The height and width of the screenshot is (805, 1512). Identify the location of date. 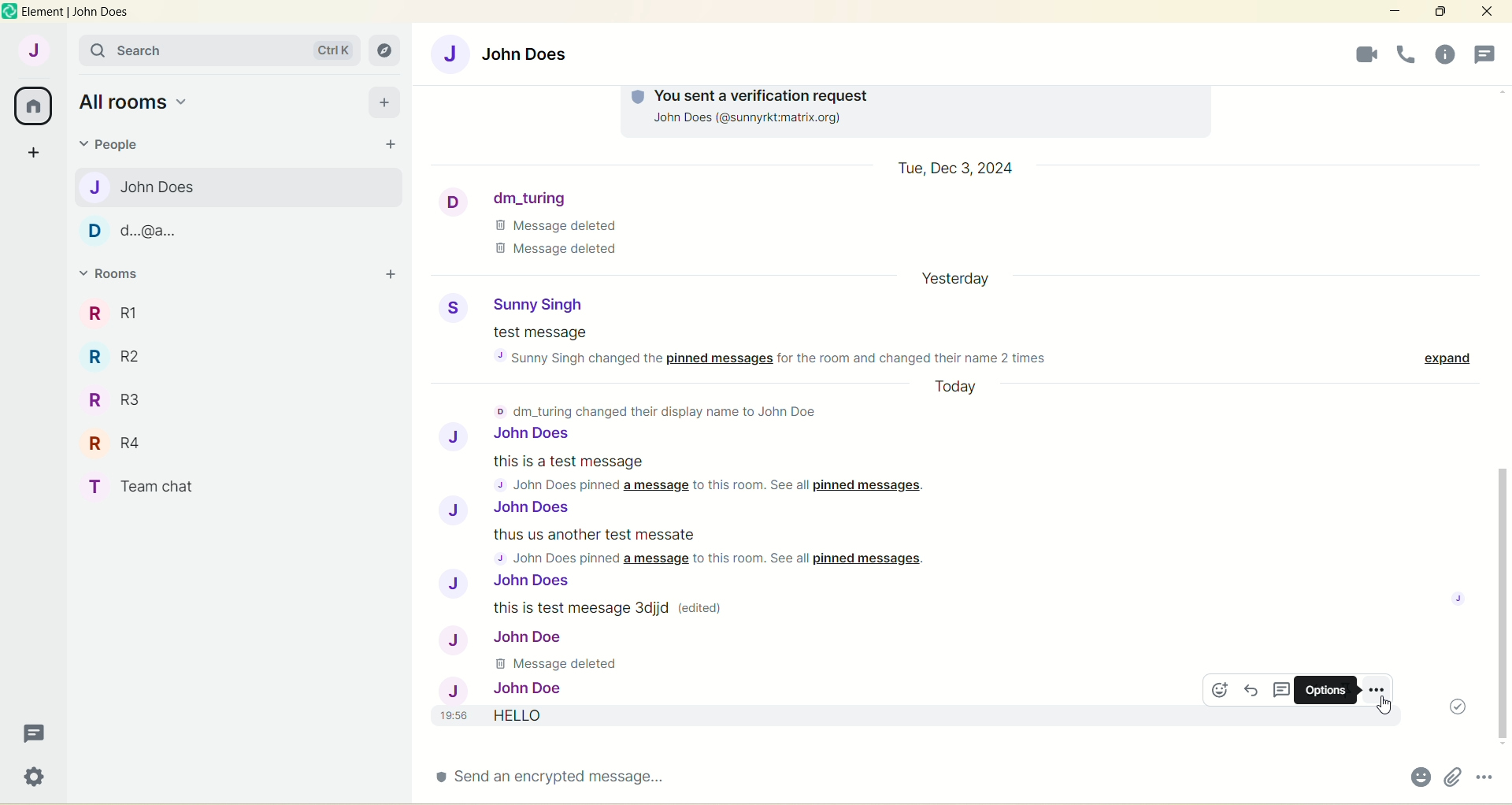
(957, 169).